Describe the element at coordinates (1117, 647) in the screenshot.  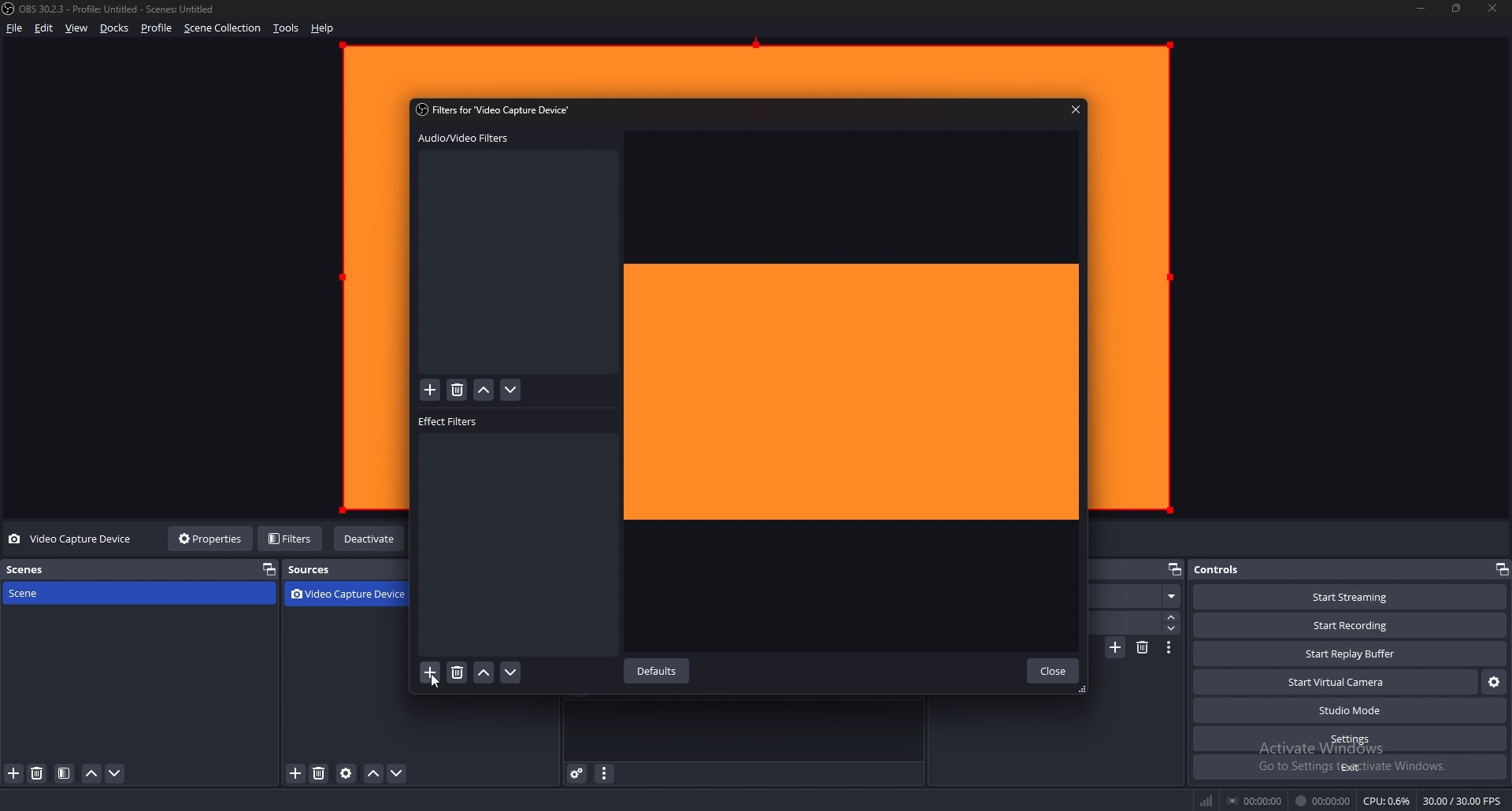
I see `add transition` at that location.